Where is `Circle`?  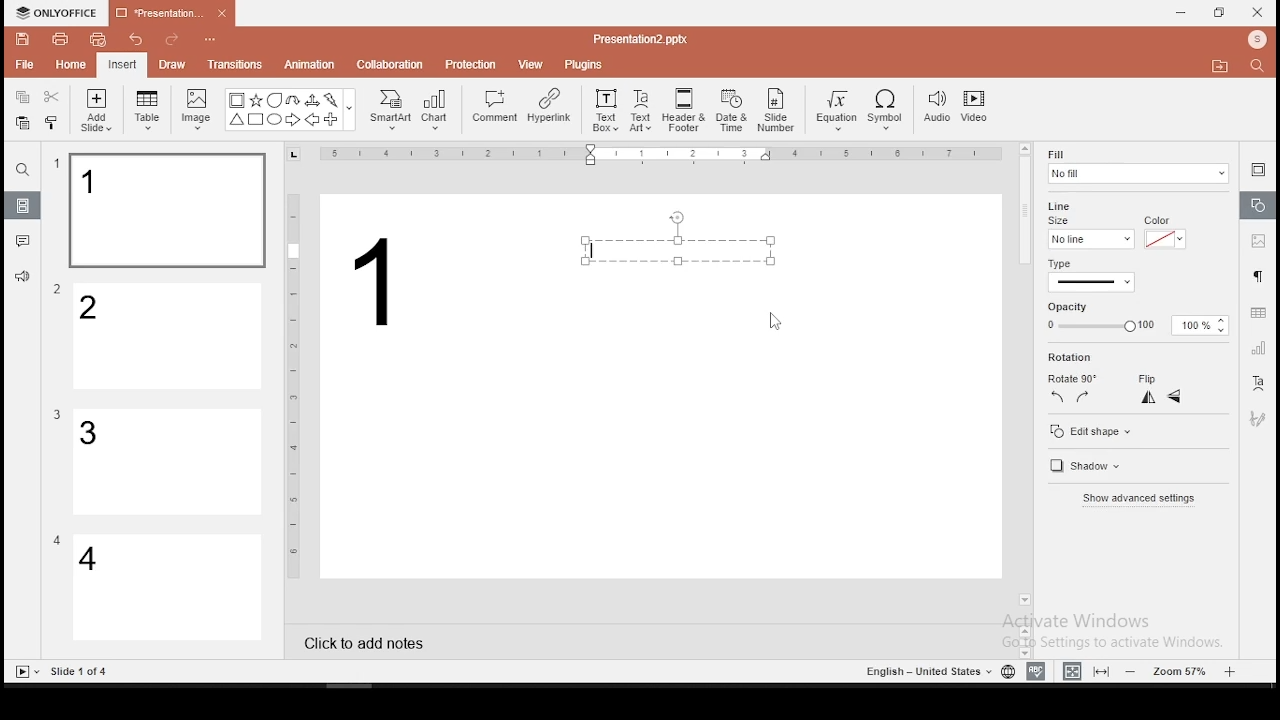 Circle is located at coordinates (276, 119).